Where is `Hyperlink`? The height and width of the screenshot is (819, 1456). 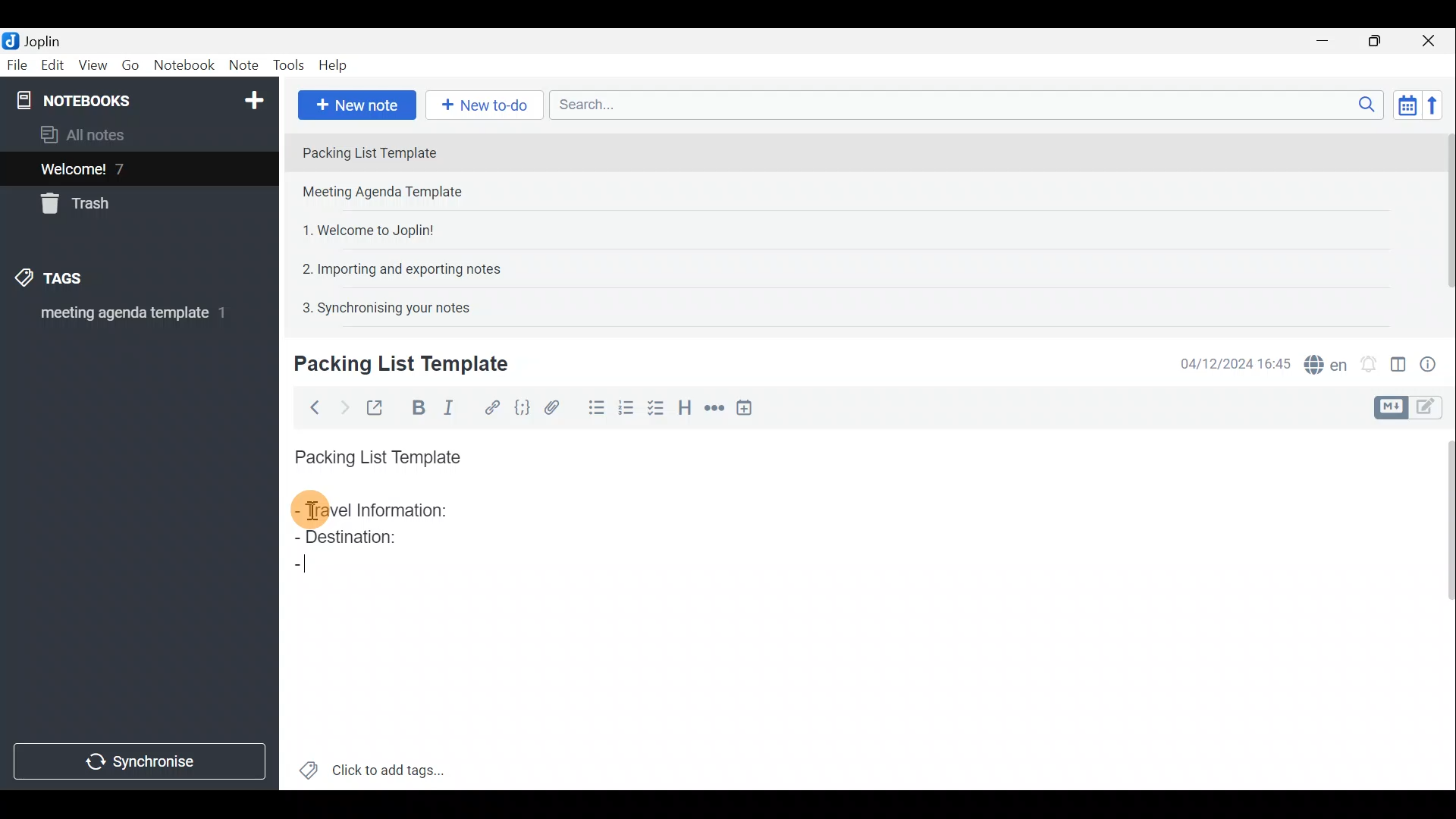 Hyperlink is located at coordinates (489, 406).